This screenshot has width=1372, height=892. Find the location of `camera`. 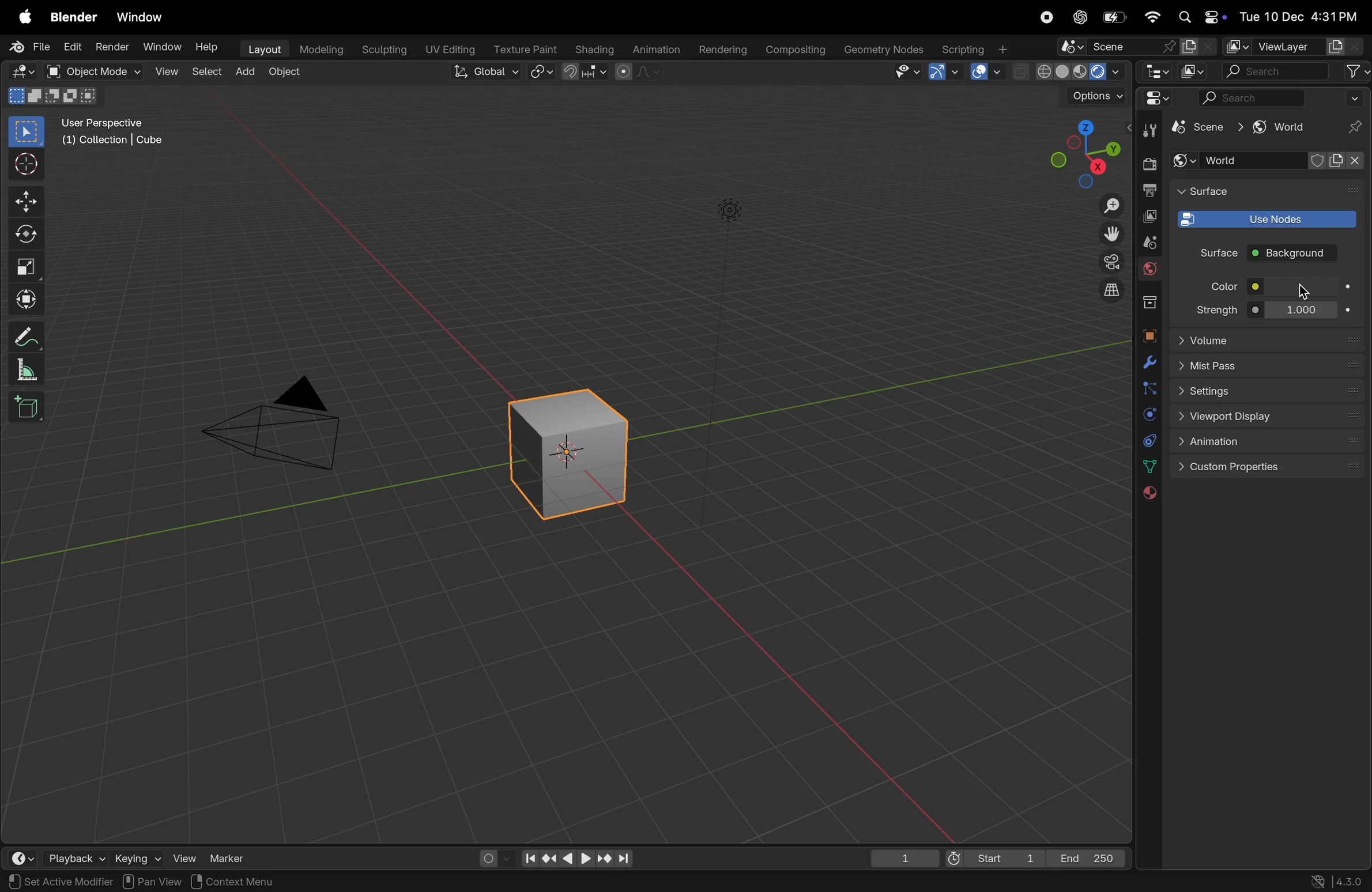

camera is located at coordinates (285, 424).